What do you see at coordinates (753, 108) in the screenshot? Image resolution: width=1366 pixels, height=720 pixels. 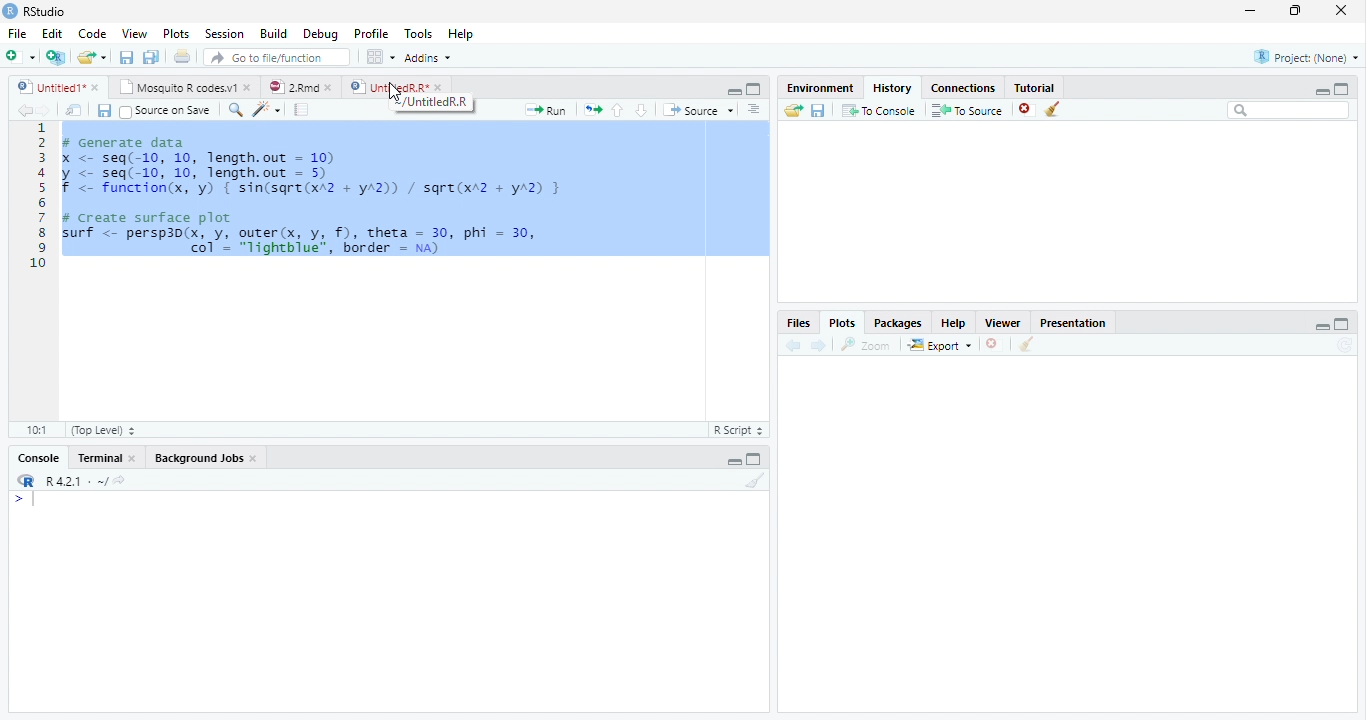 I see `Show document outline` at bounding box center [753, 108].